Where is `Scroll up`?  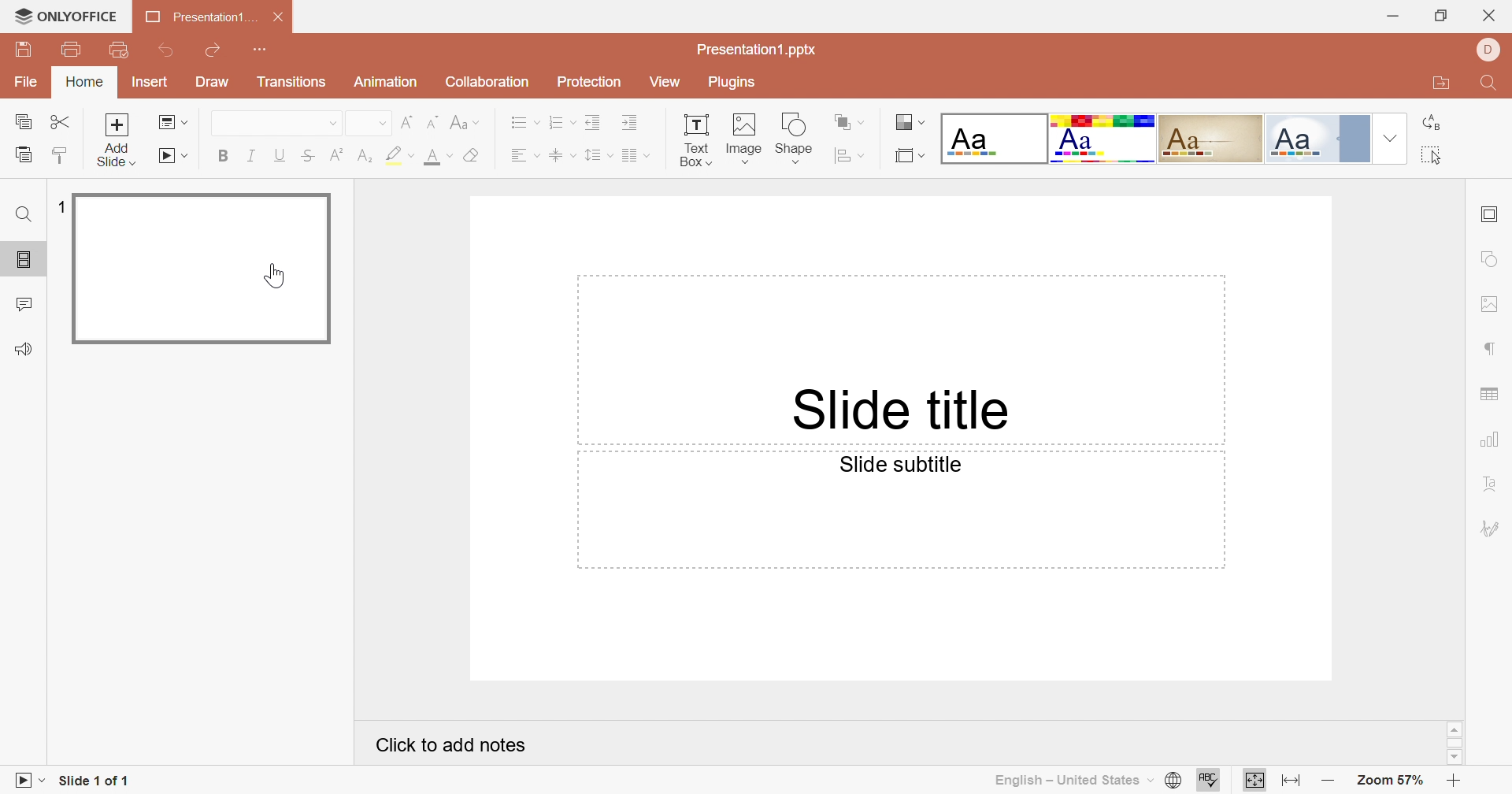 Scroll up is located at coordinates (1452, 731).